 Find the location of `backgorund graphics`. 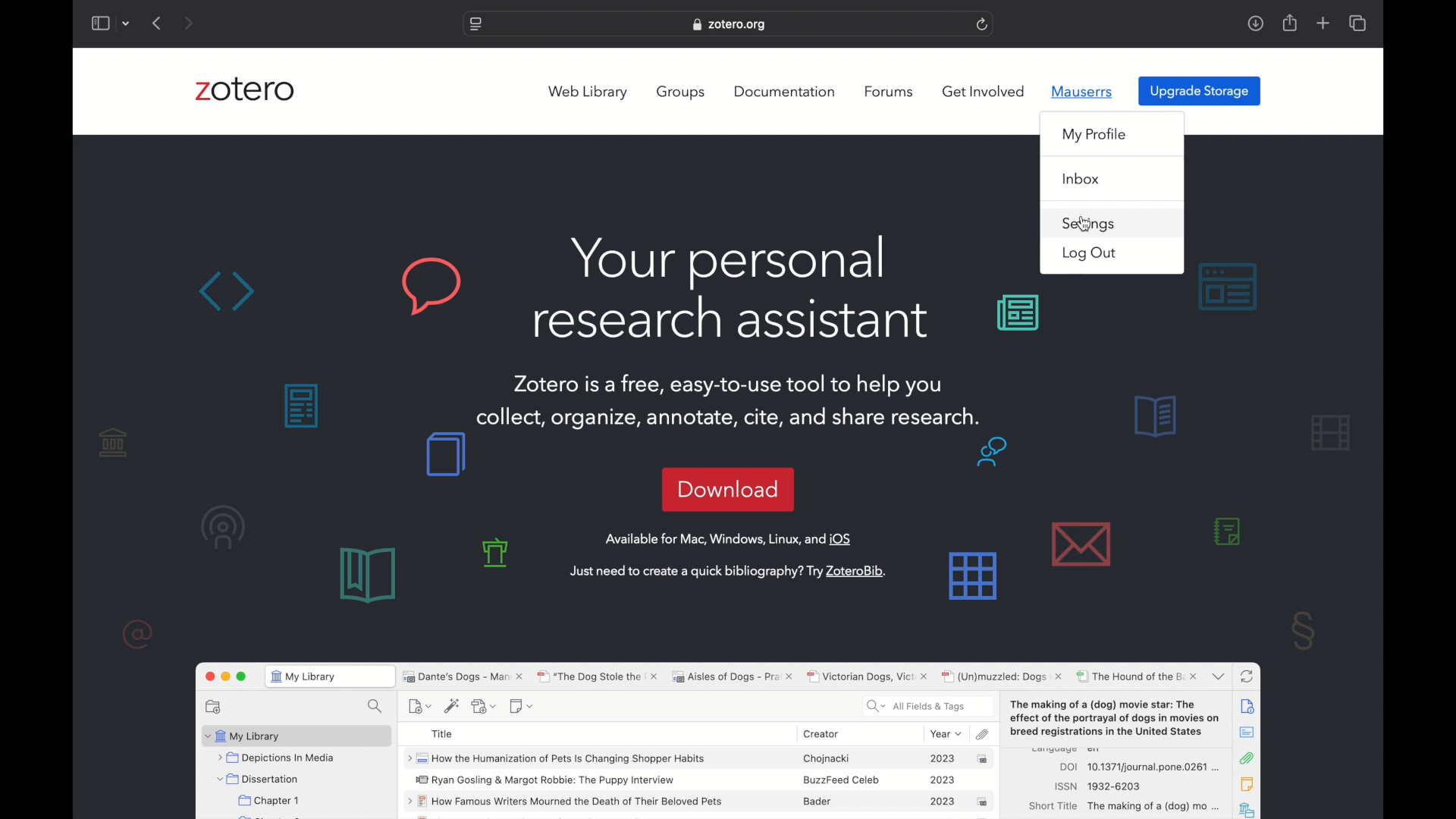

backgorund graphics is located at coordinates (1270, 582).